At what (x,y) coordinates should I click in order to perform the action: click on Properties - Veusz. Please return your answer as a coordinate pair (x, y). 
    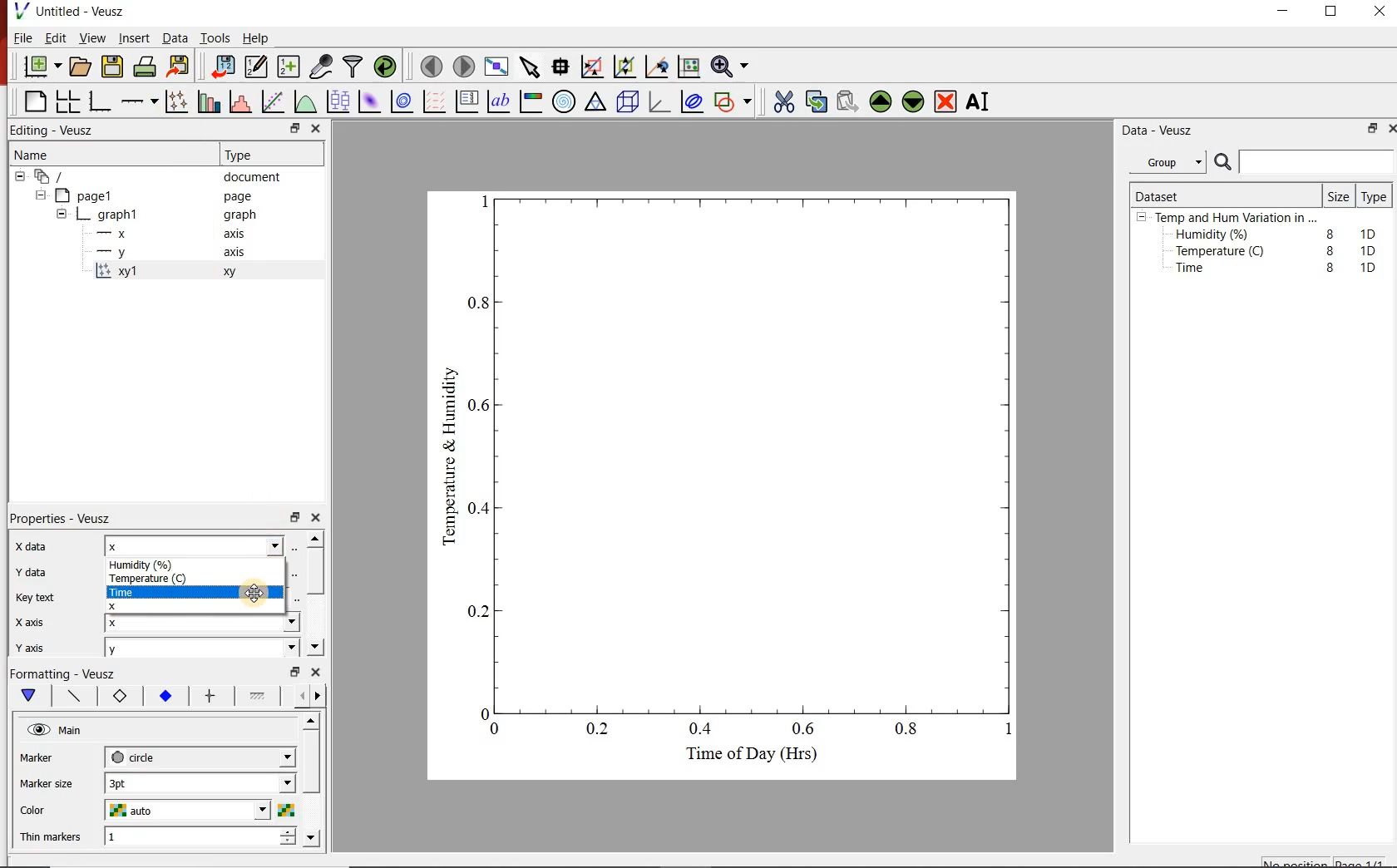
    Looking at the image, I should click on (69, 515).